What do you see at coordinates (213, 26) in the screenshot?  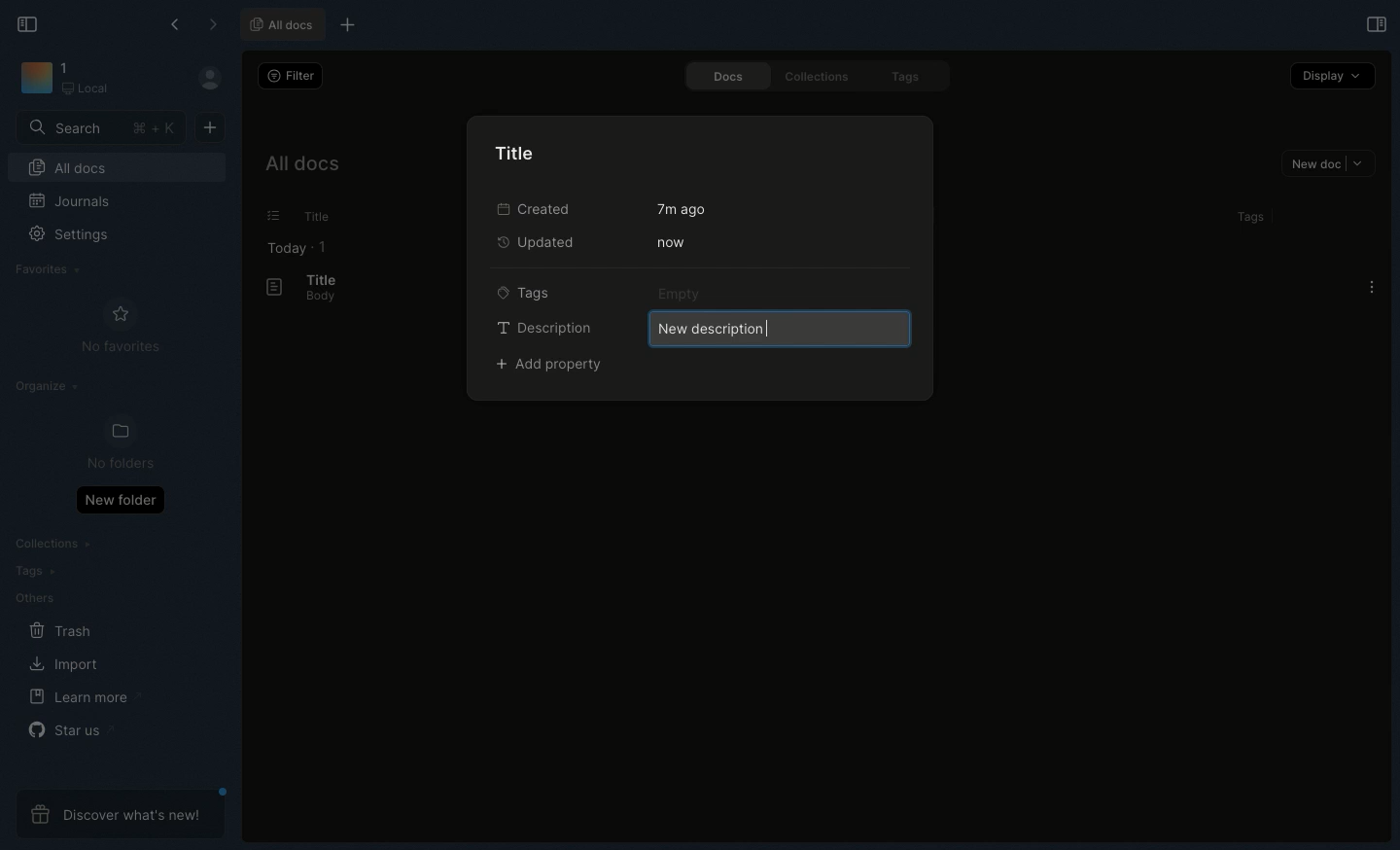 I see `Forward` at bounding box center [213, 26].